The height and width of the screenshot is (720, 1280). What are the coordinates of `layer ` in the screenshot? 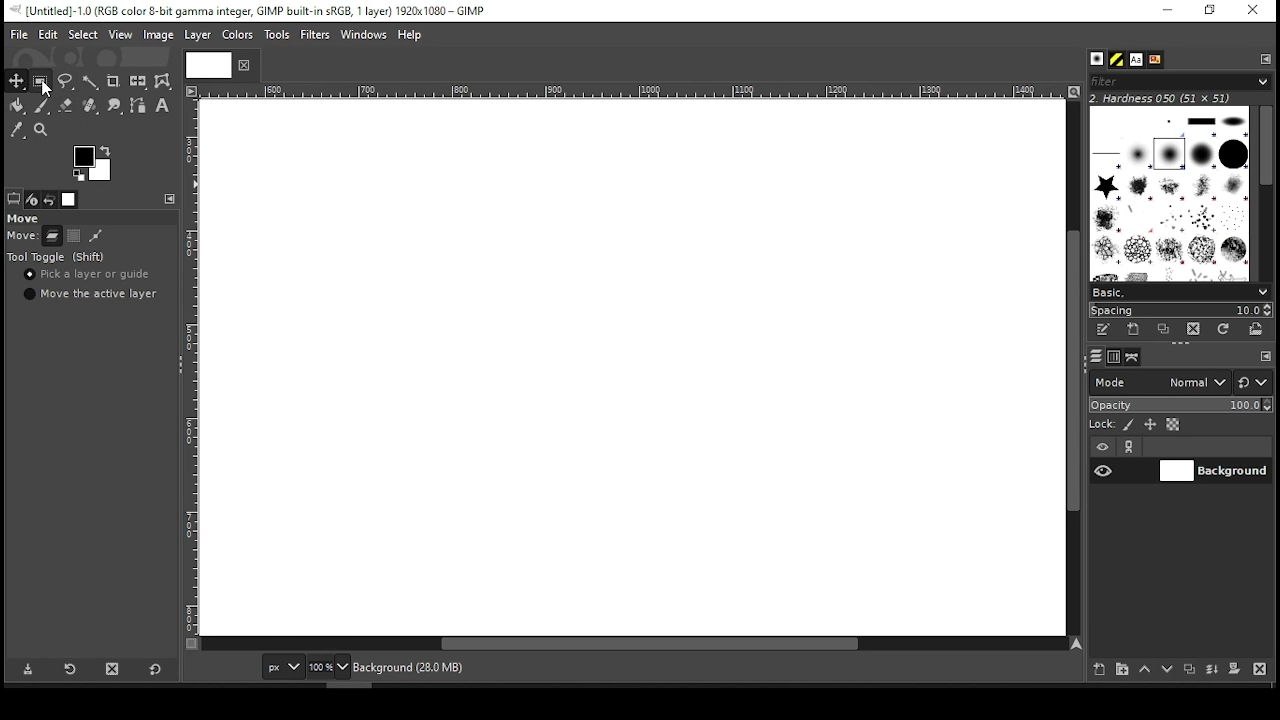 It's located at (1213, 471).